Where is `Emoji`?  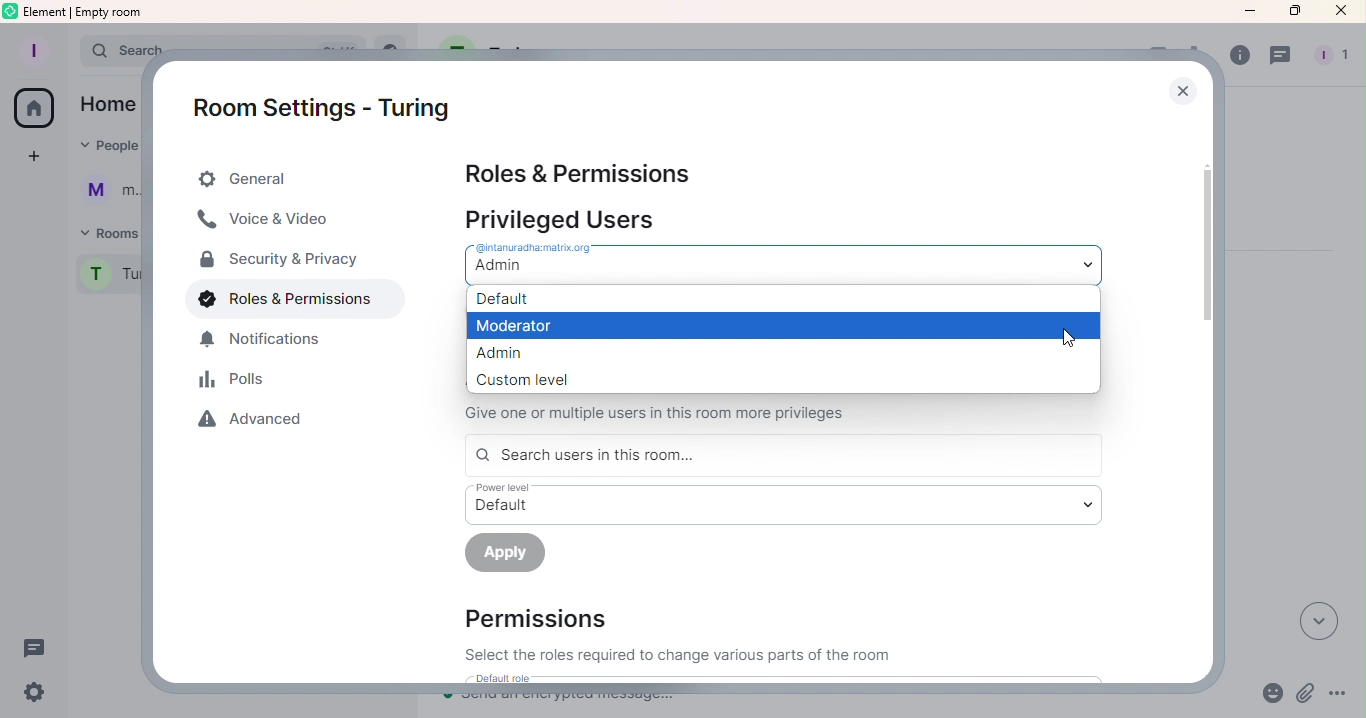 Emoji is located at coordinates (1272, 695).